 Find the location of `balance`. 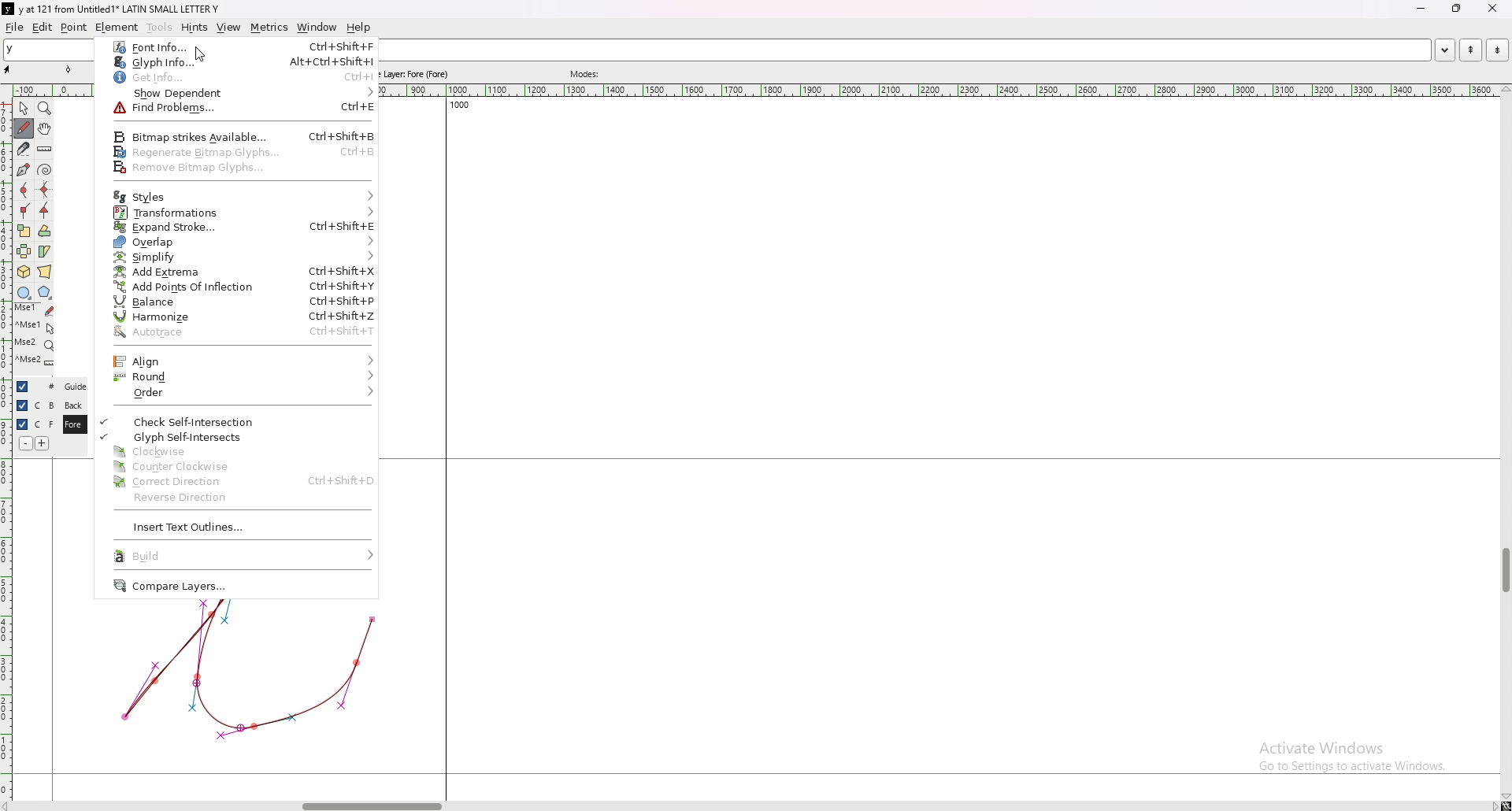

balance is located at coordinates (239, 301).